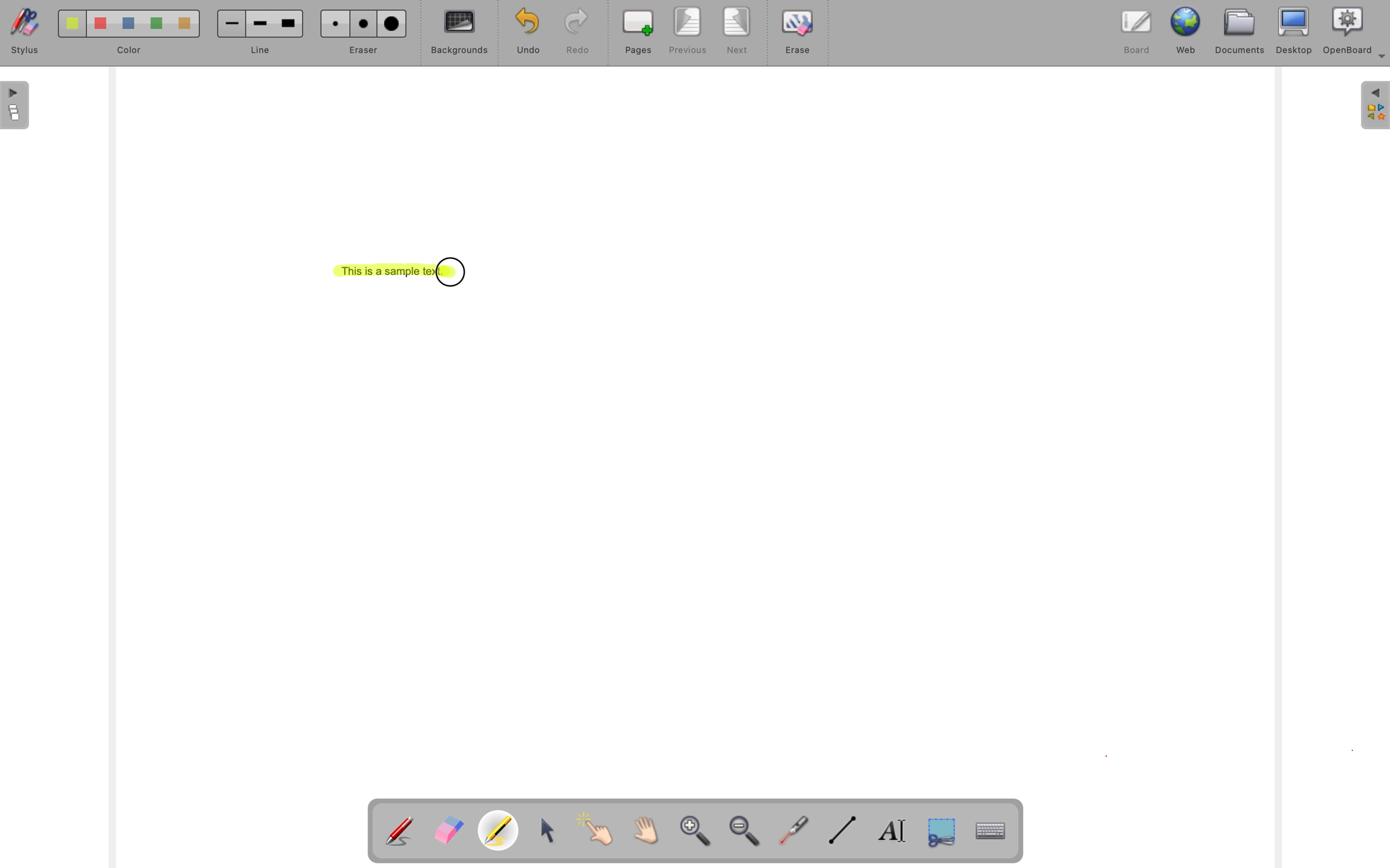  What do you see at coordinates (385, 271) in the screenshot?
I see `This is a sample text` at bounding box center [385, 271].